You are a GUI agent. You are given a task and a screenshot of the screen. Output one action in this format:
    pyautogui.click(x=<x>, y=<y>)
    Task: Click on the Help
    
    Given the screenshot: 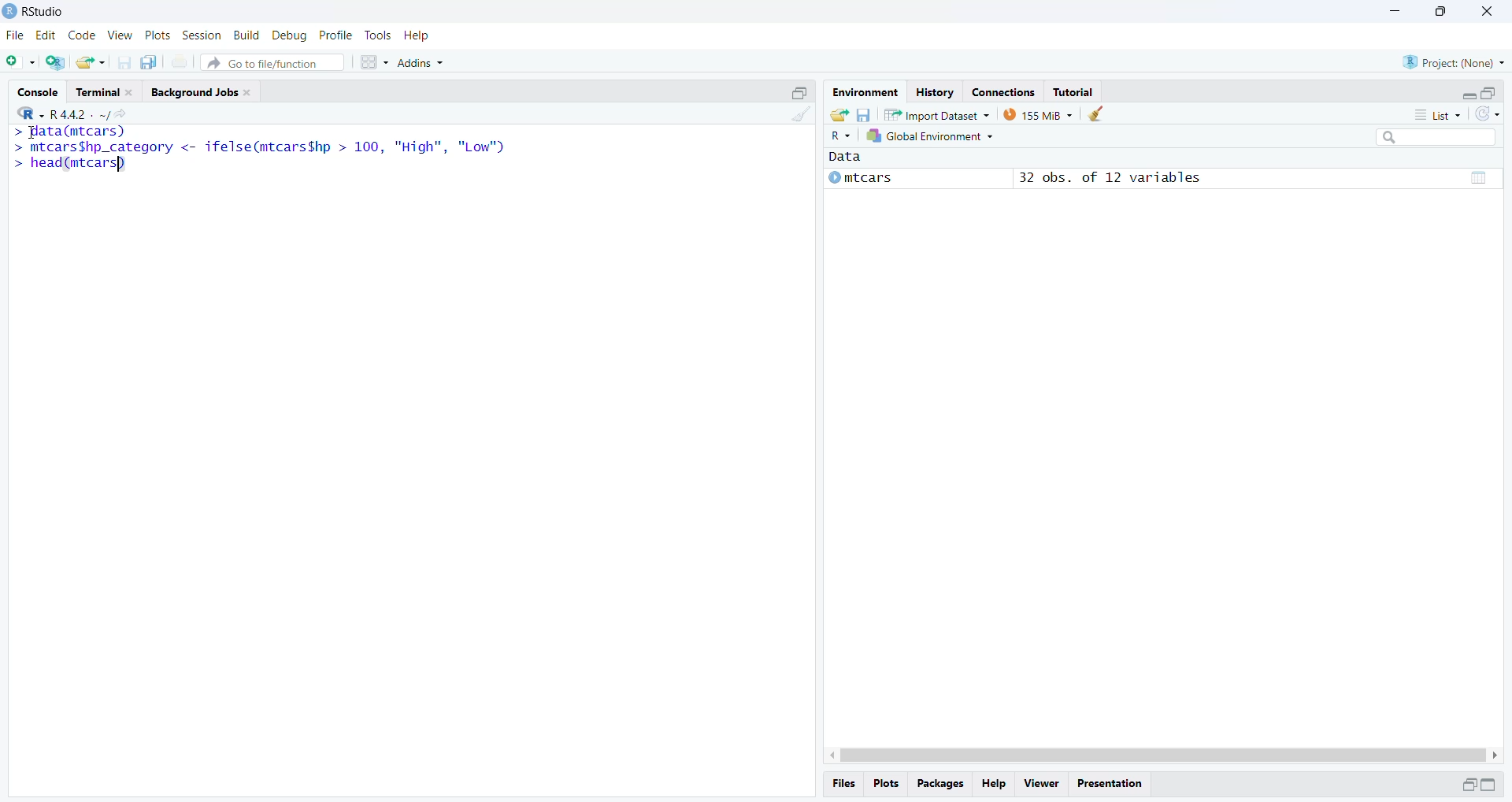 What is the action you would take?
    pyautogui.click(x=996, y=784)
    